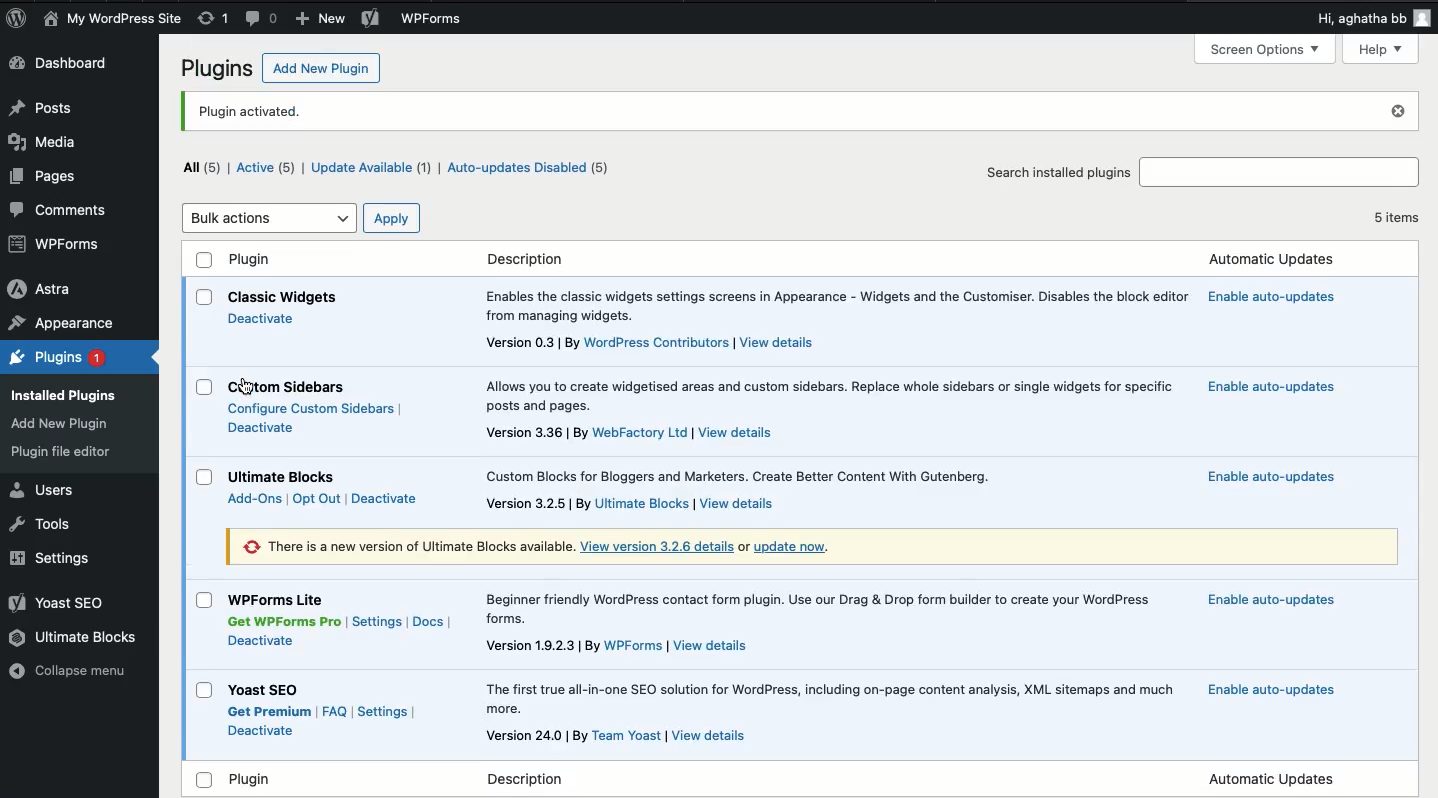  What do you see at coordinates (744, 547) in the screenshot?
I see `or` at bounding box center [744, 547].